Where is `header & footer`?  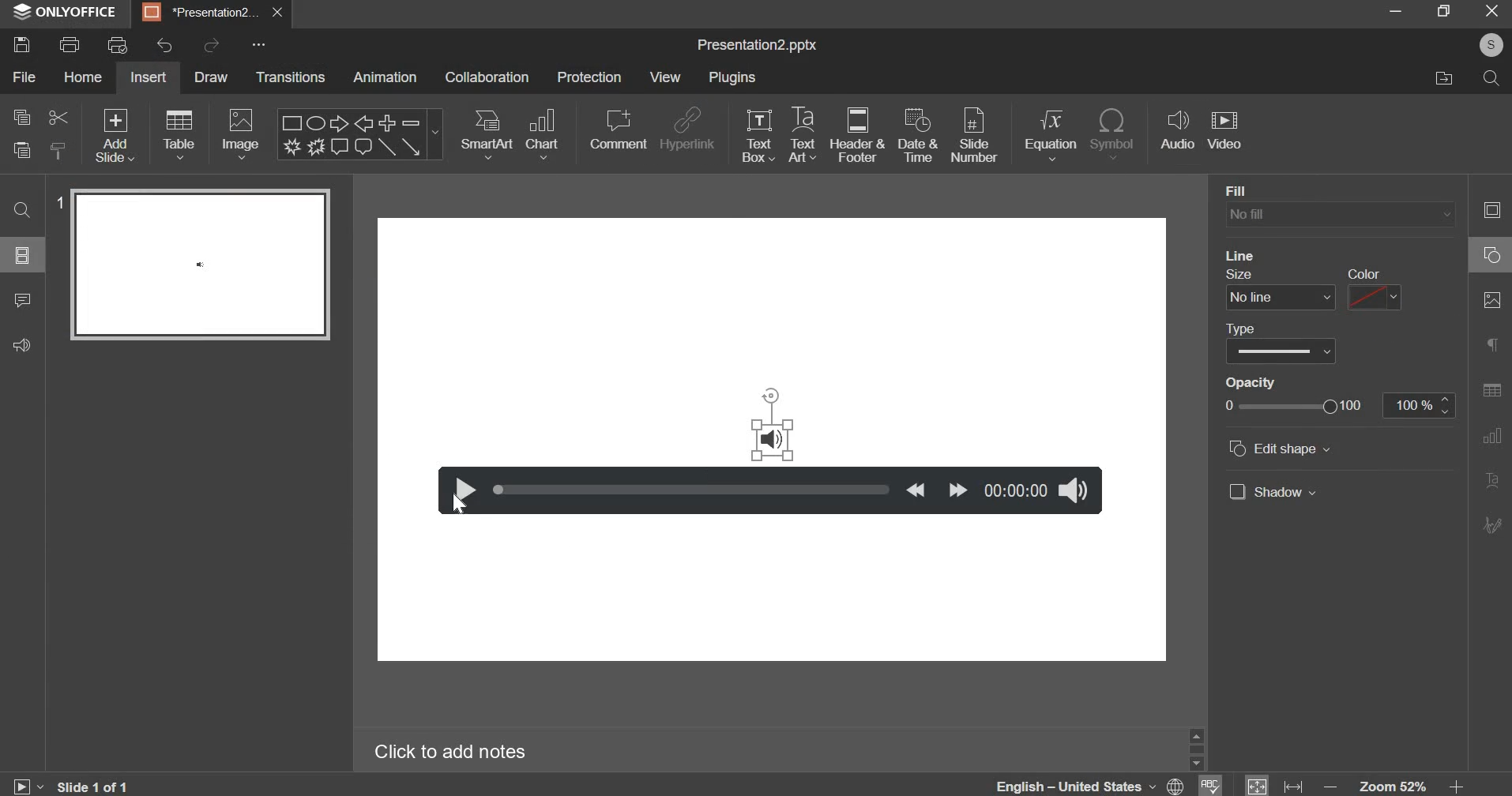 header & footer is located at coordinates (861, 136).